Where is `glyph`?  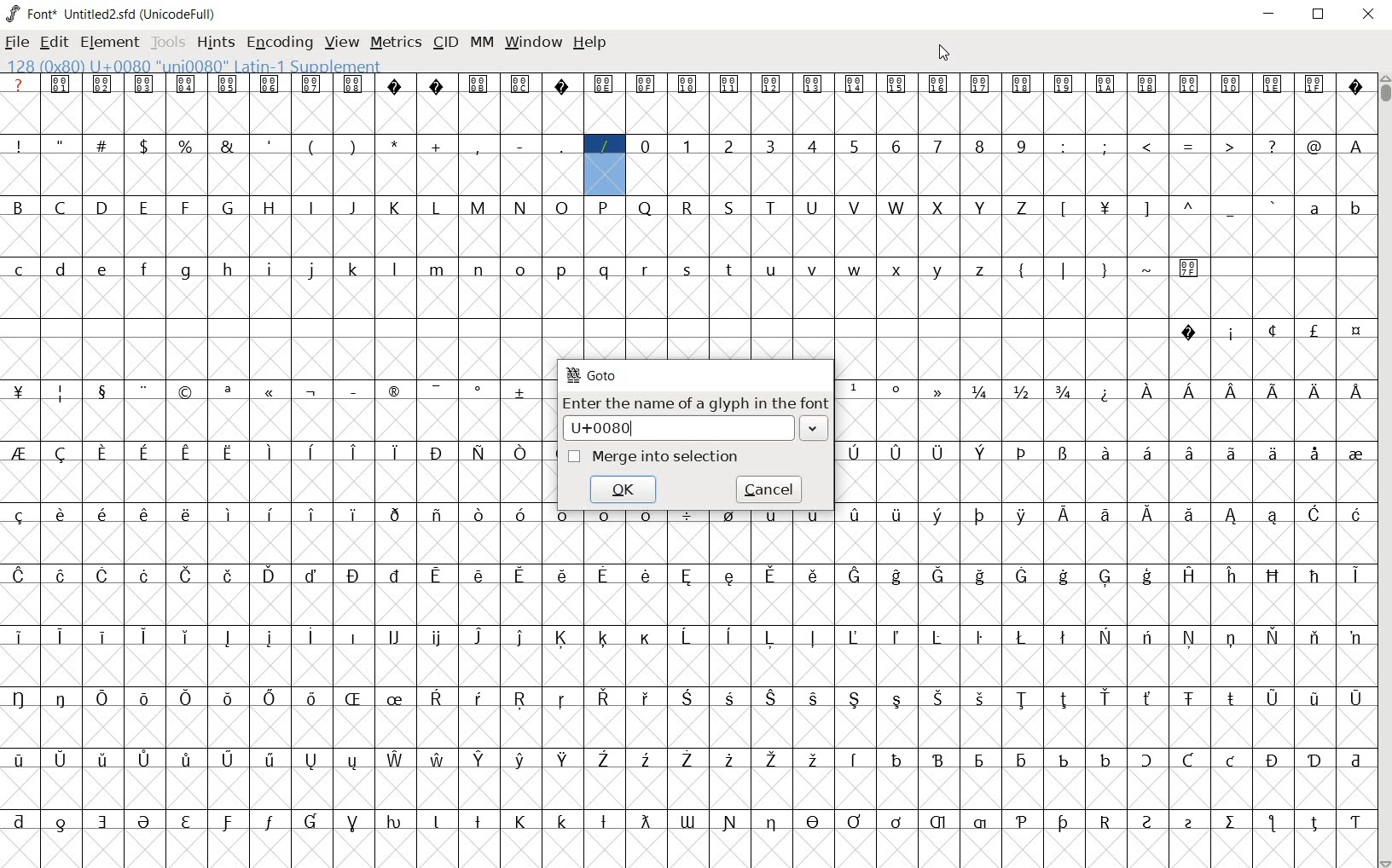 glyph is located at coordinates (855, 760).